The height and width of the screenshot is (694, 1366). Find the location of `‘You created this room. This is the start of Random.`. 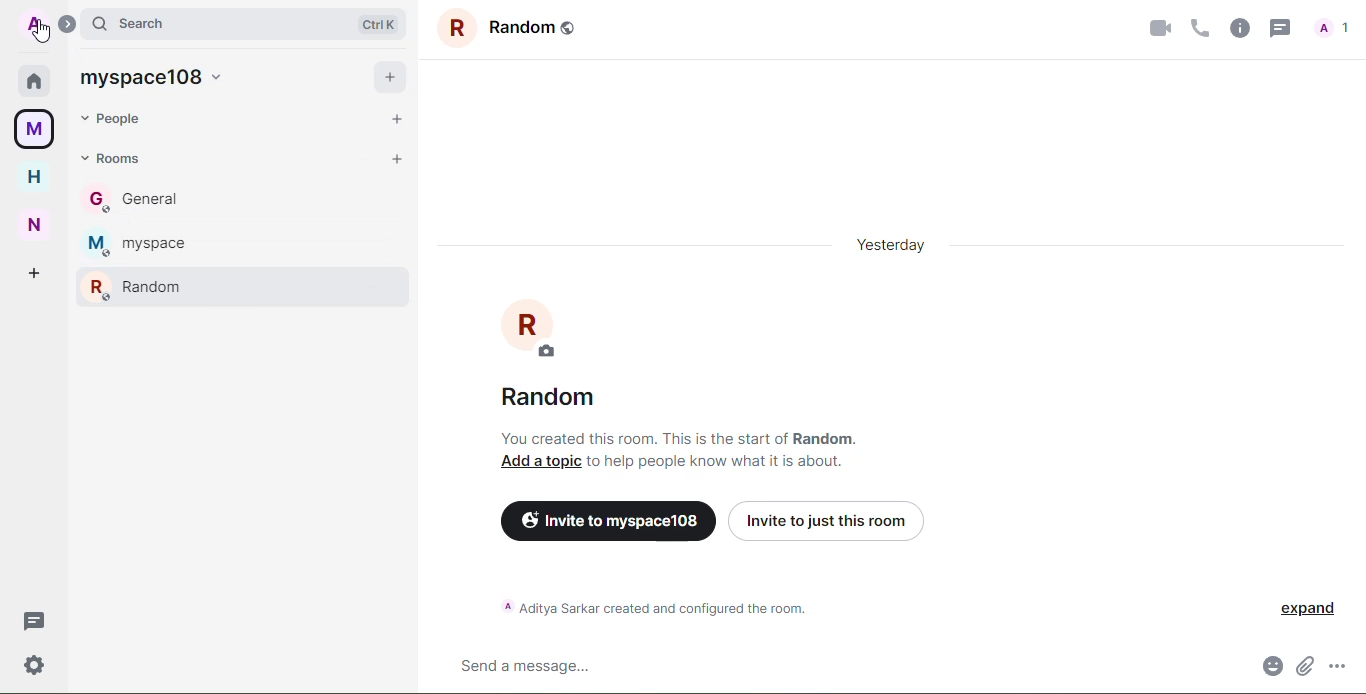

‘You created this room. This is the start of Random. is located at coordinates (683, 440).